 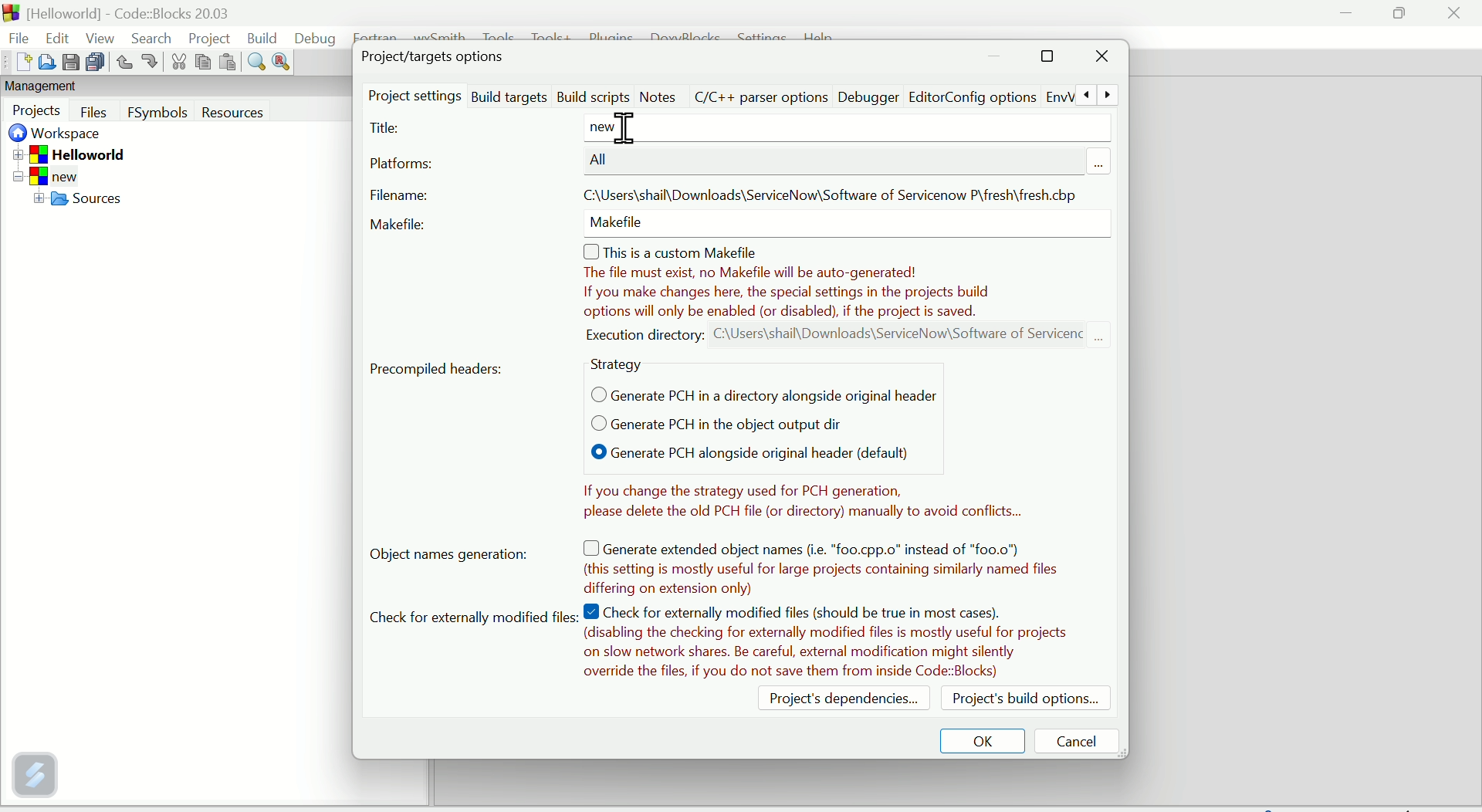 I want to click on Titus, so click(x=387, y=129).